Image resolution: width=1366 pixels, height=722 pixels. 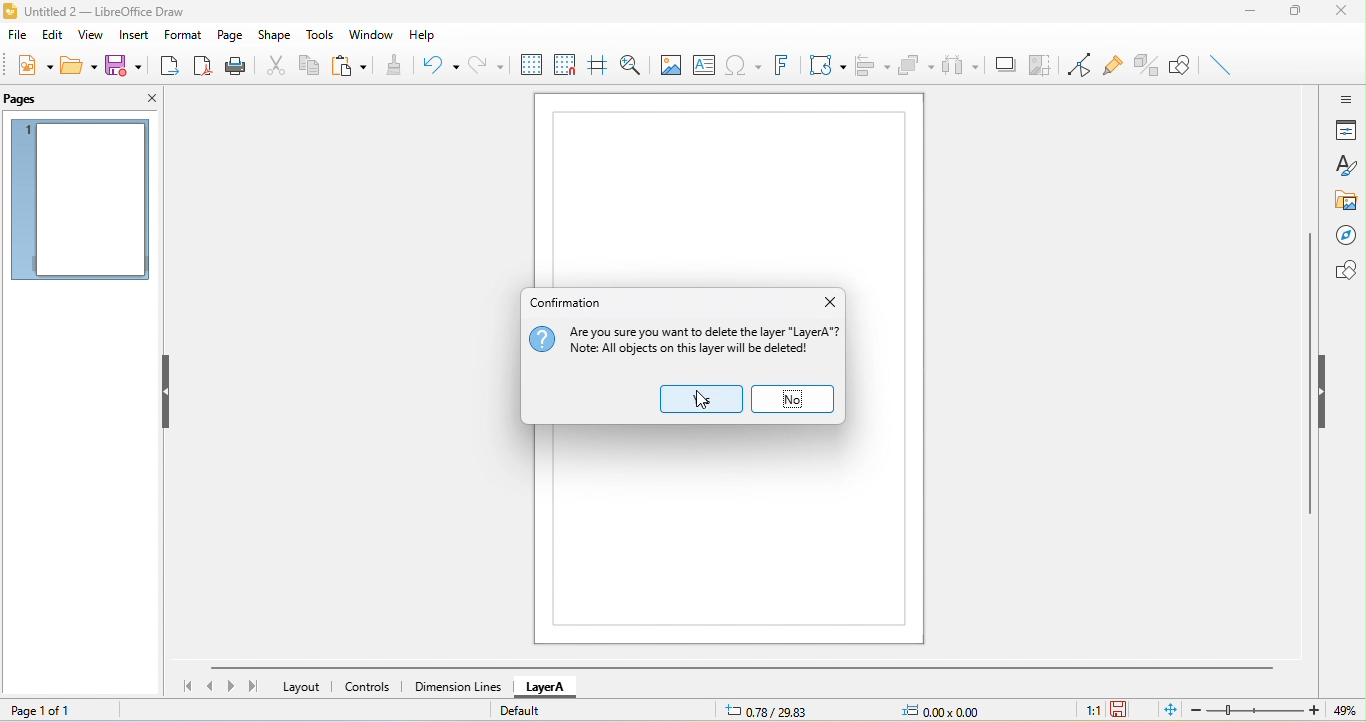 I want to click on 1:1, so click(x=1083, y=711).